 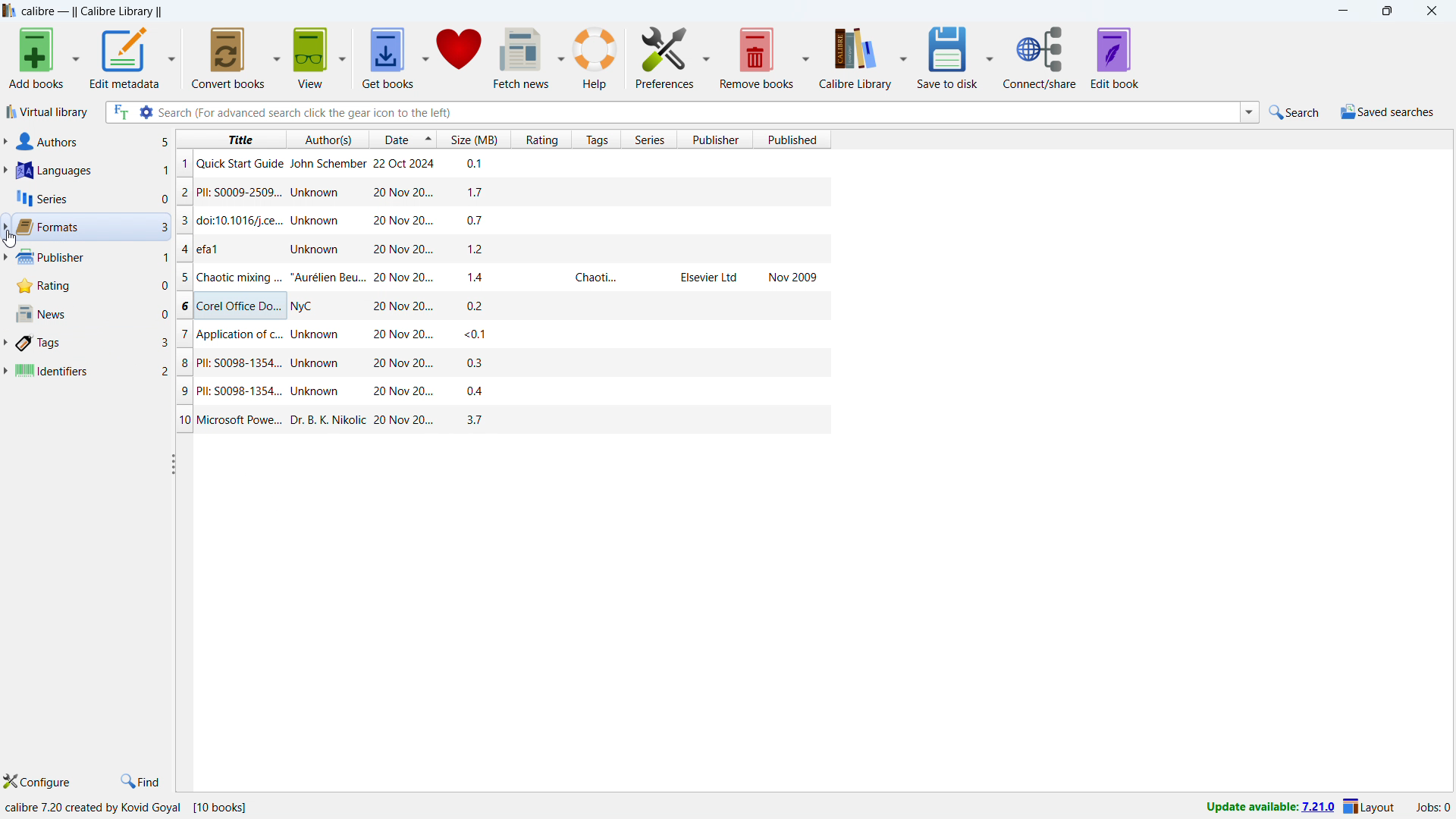 What do you see at coordinates (76, 57) in the screenshot?
I see `add books options` at bounding box center [76, 57].